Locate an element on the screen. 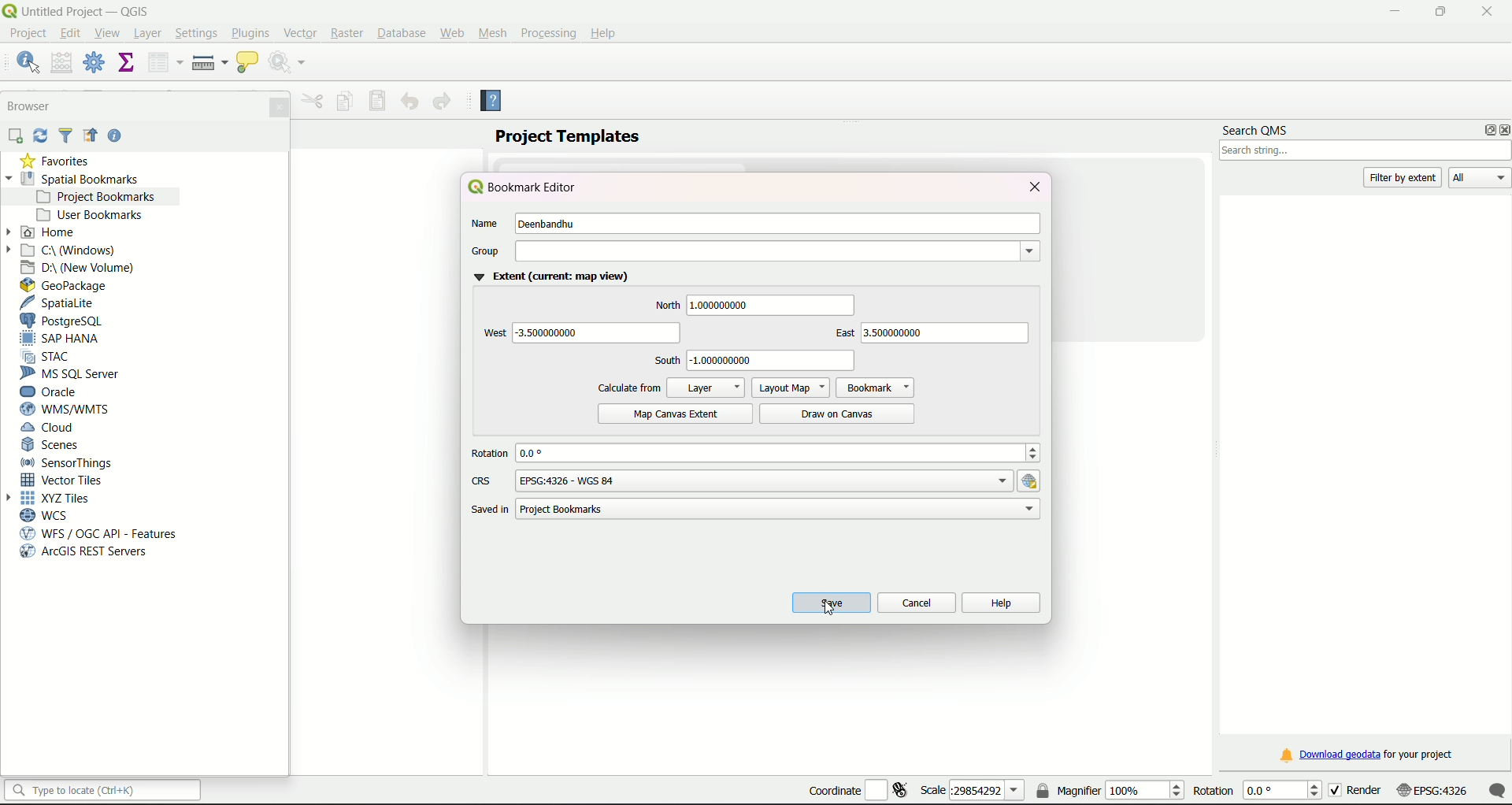 This screenshot has width=1512, height=805. measure line is located at coordinates (209, 63).